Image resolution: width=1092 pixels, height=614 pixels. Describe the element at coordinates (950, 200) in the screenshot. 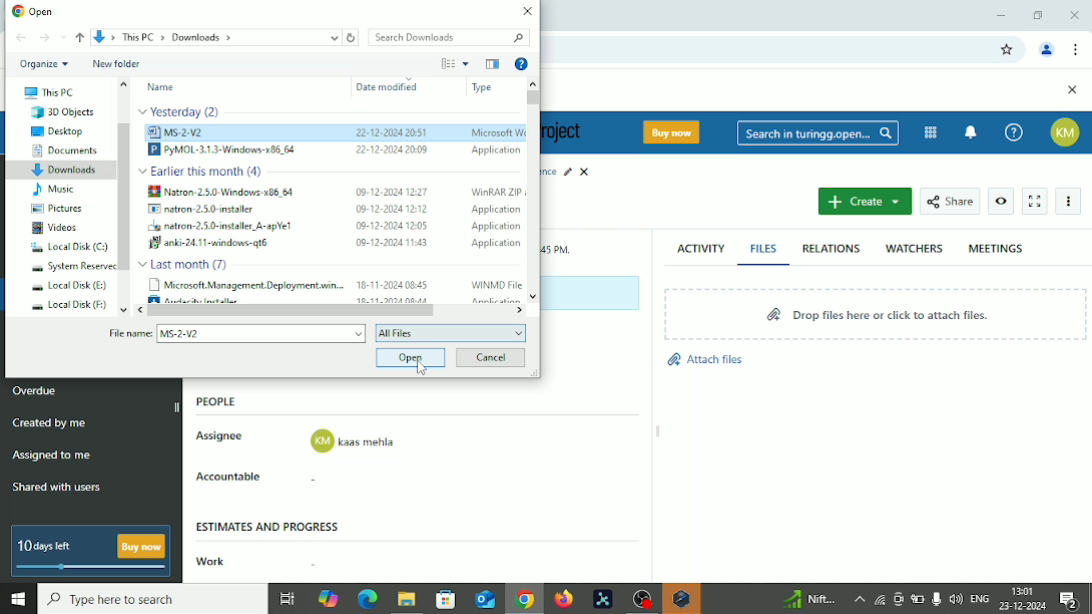

I see `Share` at that location.